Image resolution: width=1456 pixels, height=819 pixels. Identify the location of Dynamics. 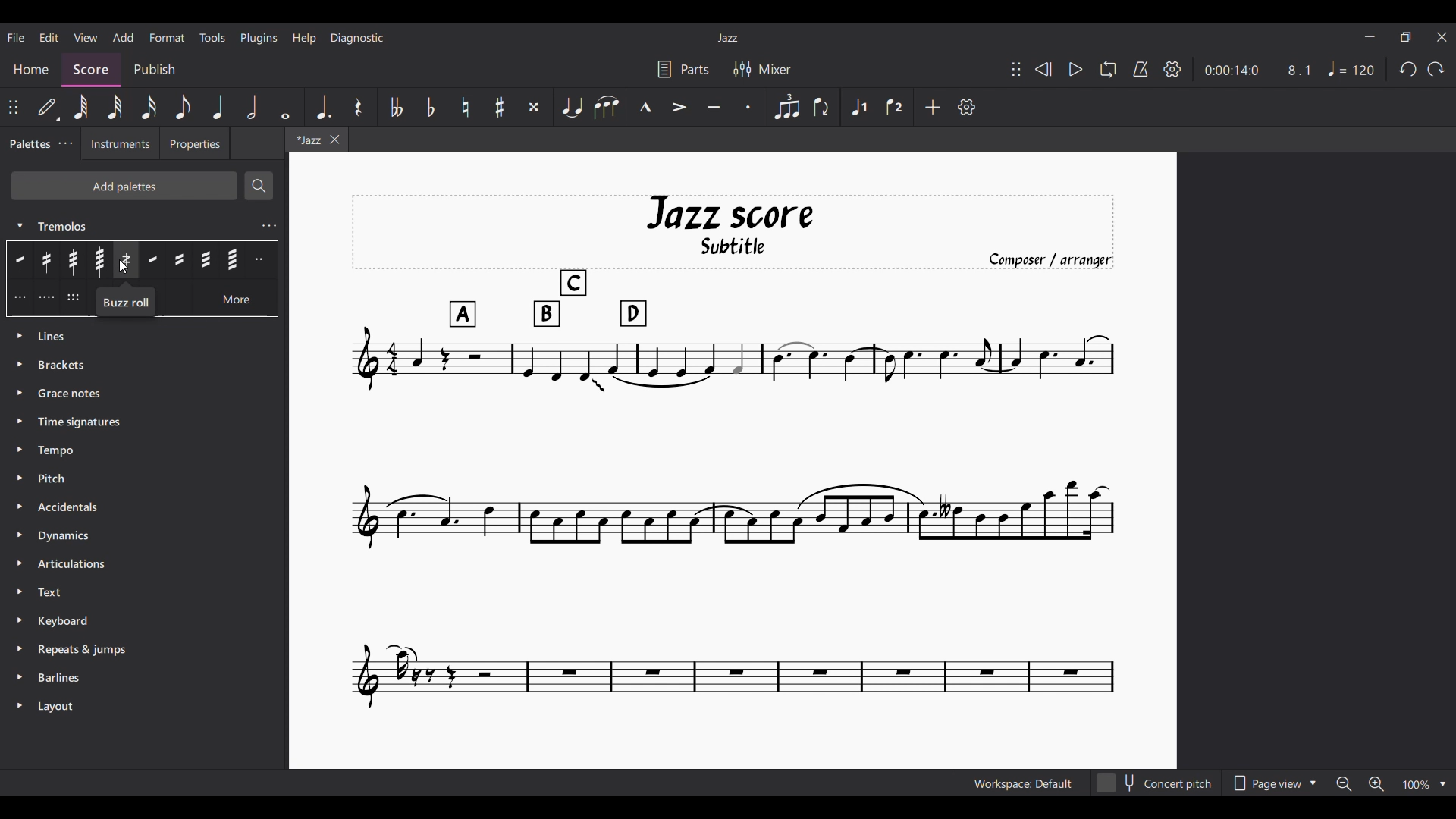
(145, 536).